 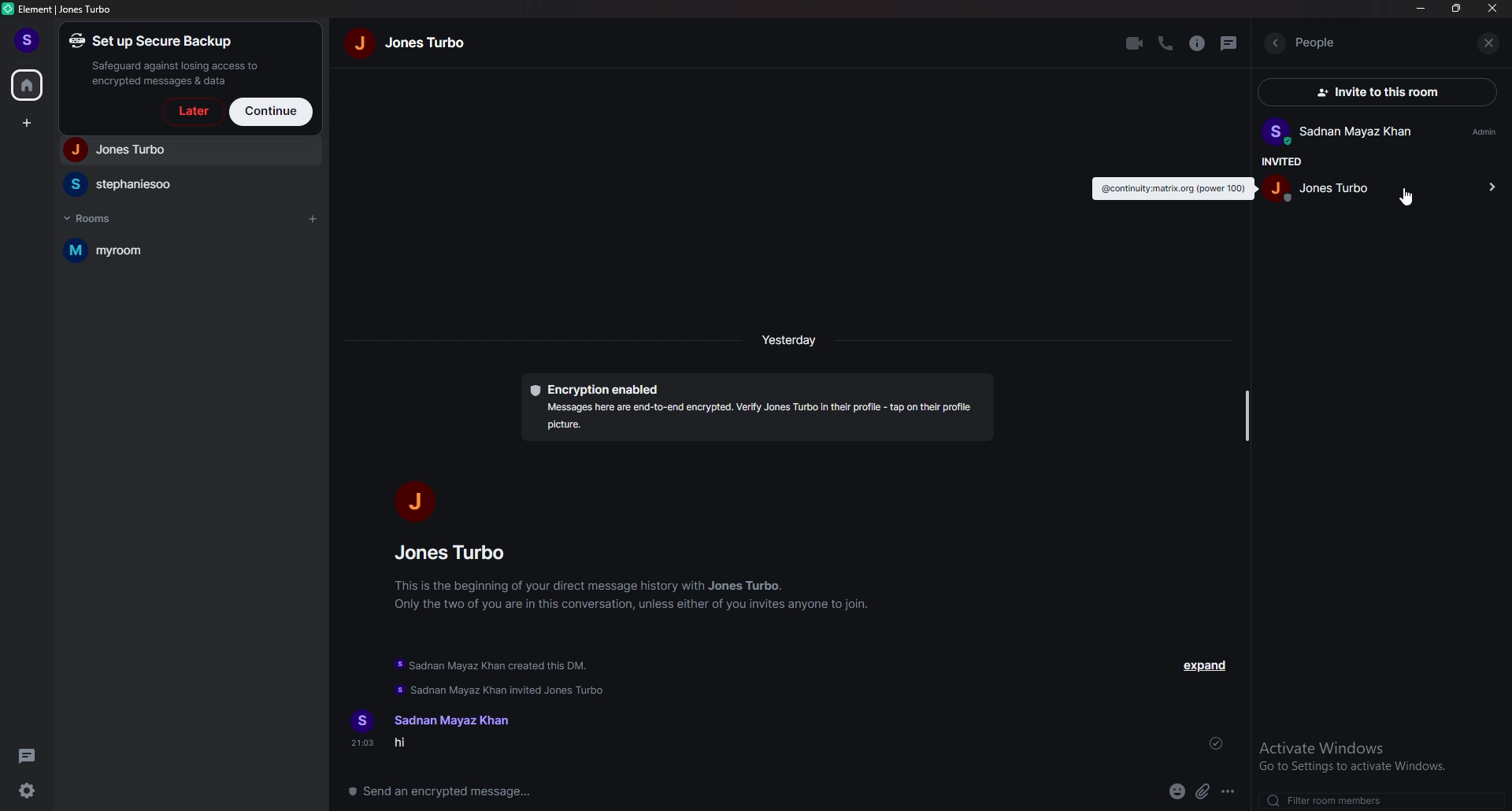 I want to click on threads, so click(x=30, y=756).